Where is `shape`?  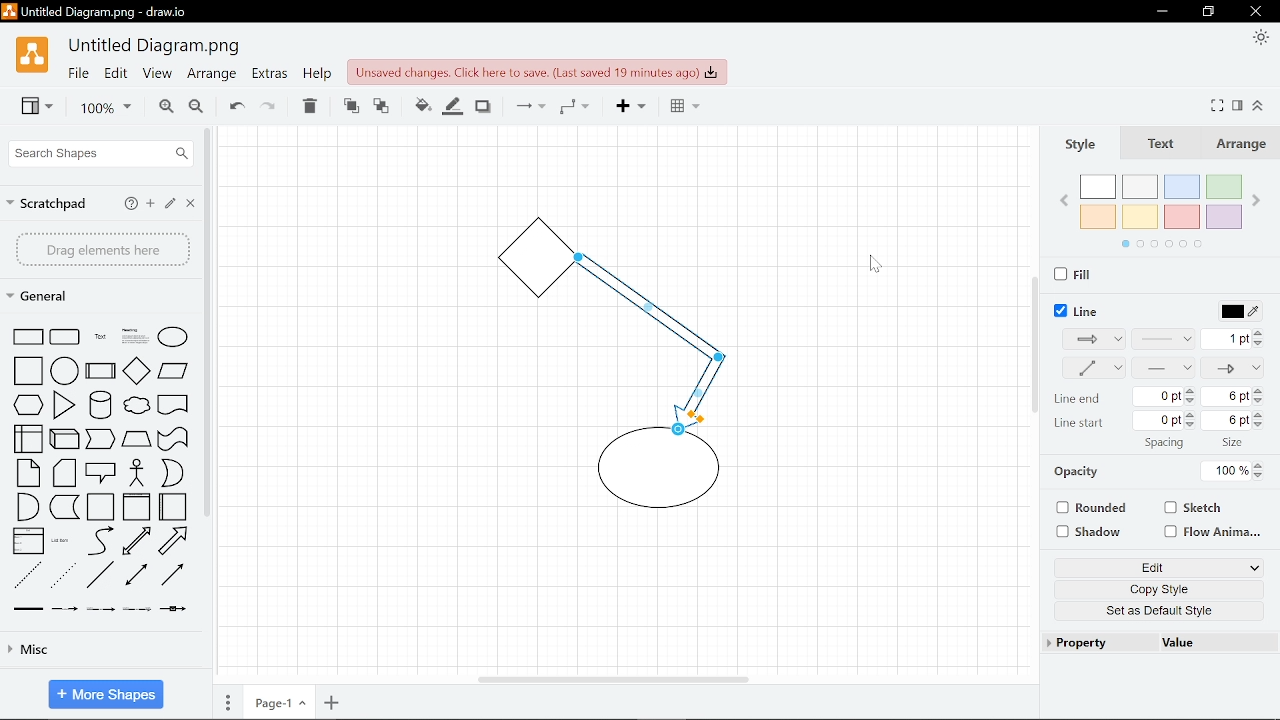 shape is located at coordinates (23, 439).